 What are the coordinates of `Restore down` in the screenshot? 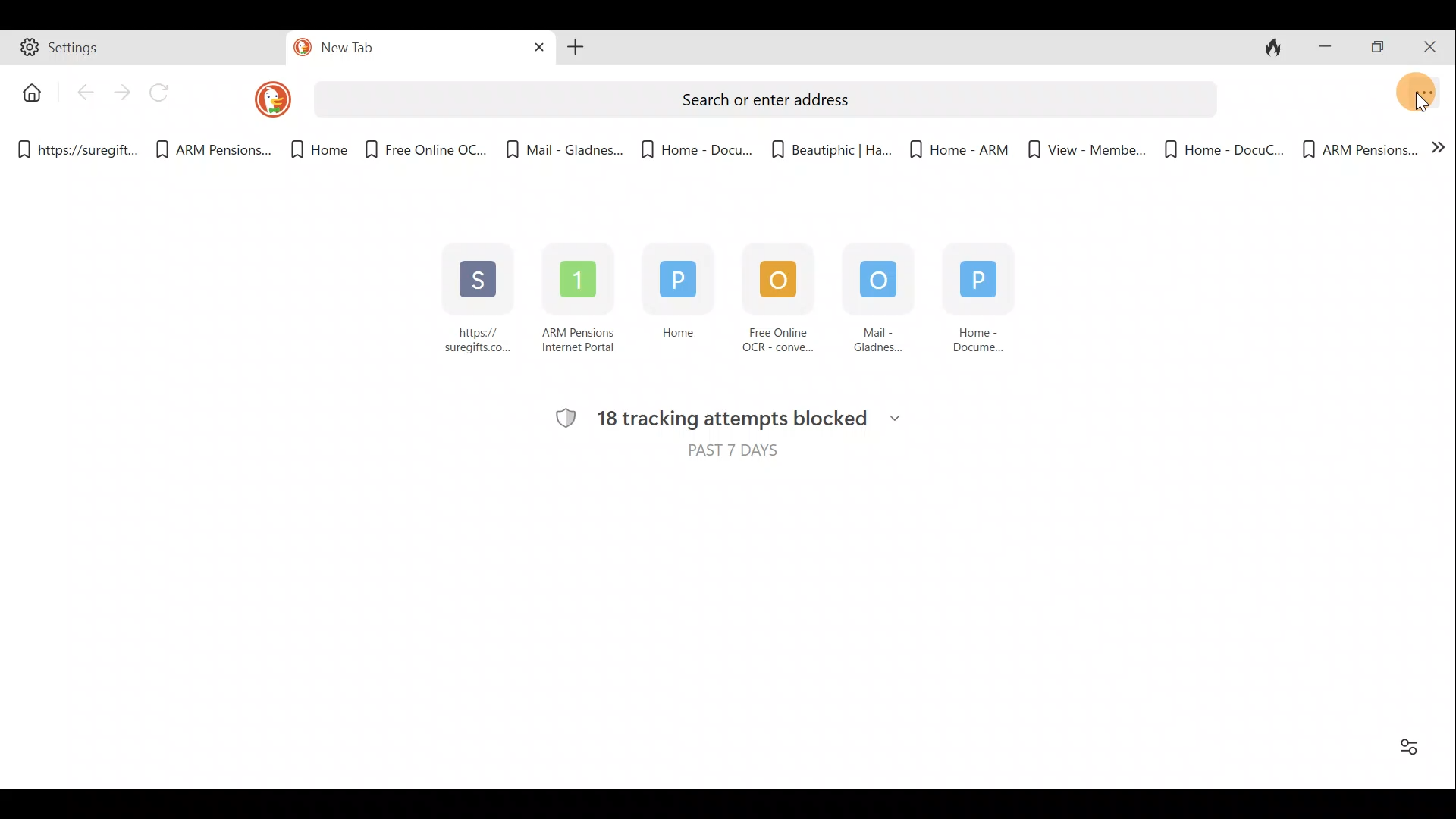 It's located at (1380, 48).